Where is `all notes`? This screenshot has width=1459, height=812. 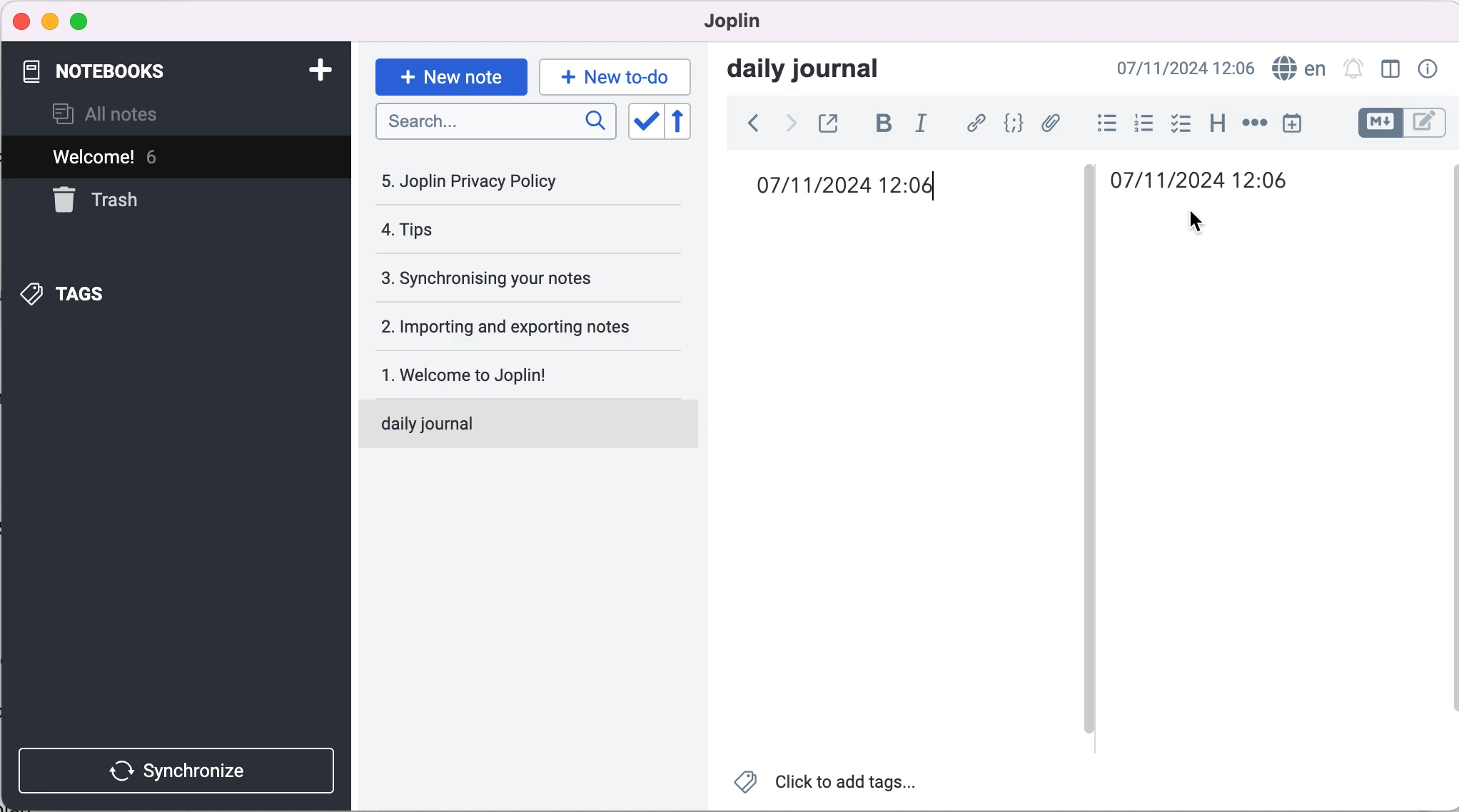 all notes is located at coordinates (118, 116).